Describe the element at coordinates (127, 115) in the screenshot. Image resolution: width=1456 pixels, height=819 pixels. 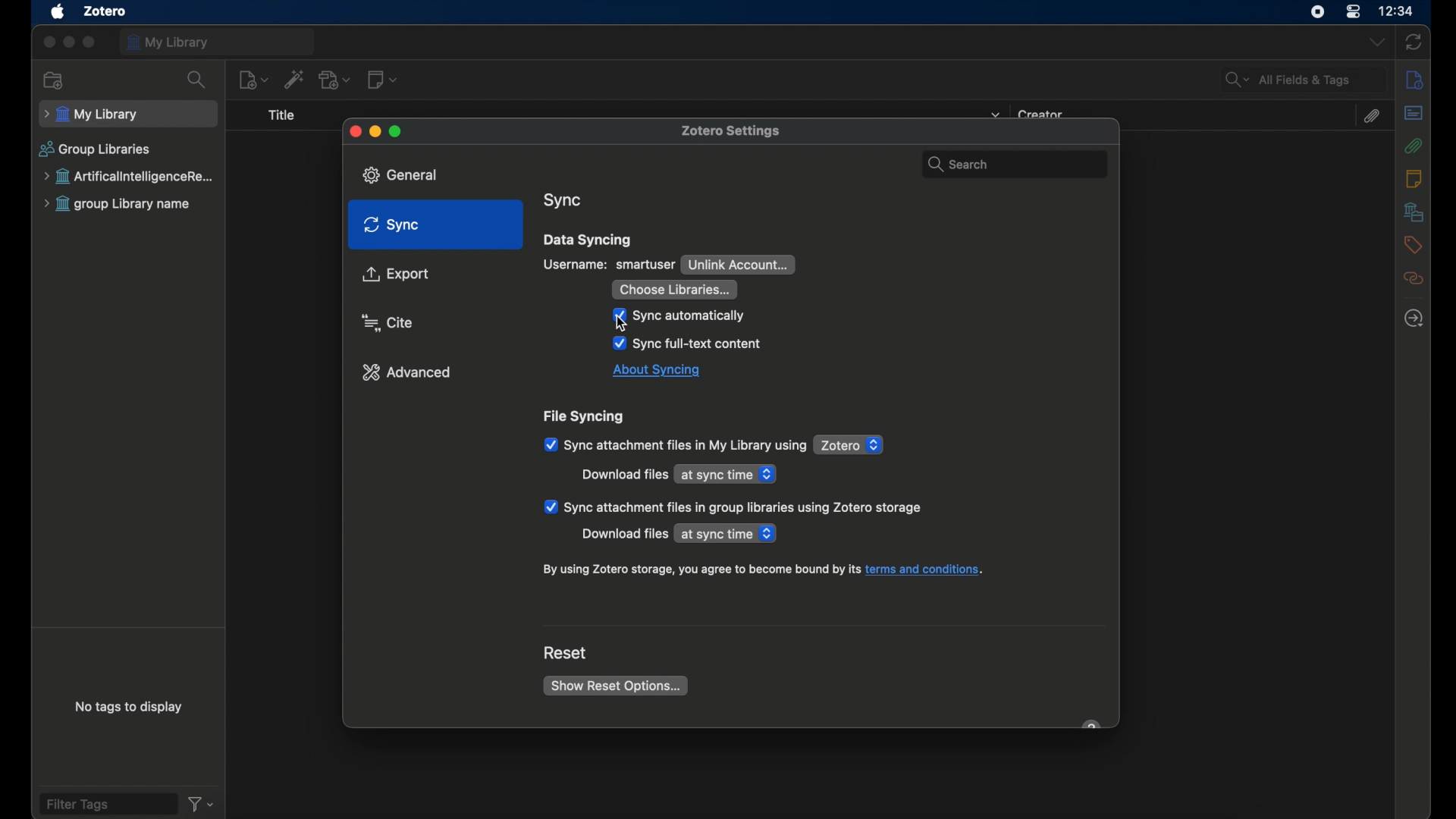
I see `my library` at that location.